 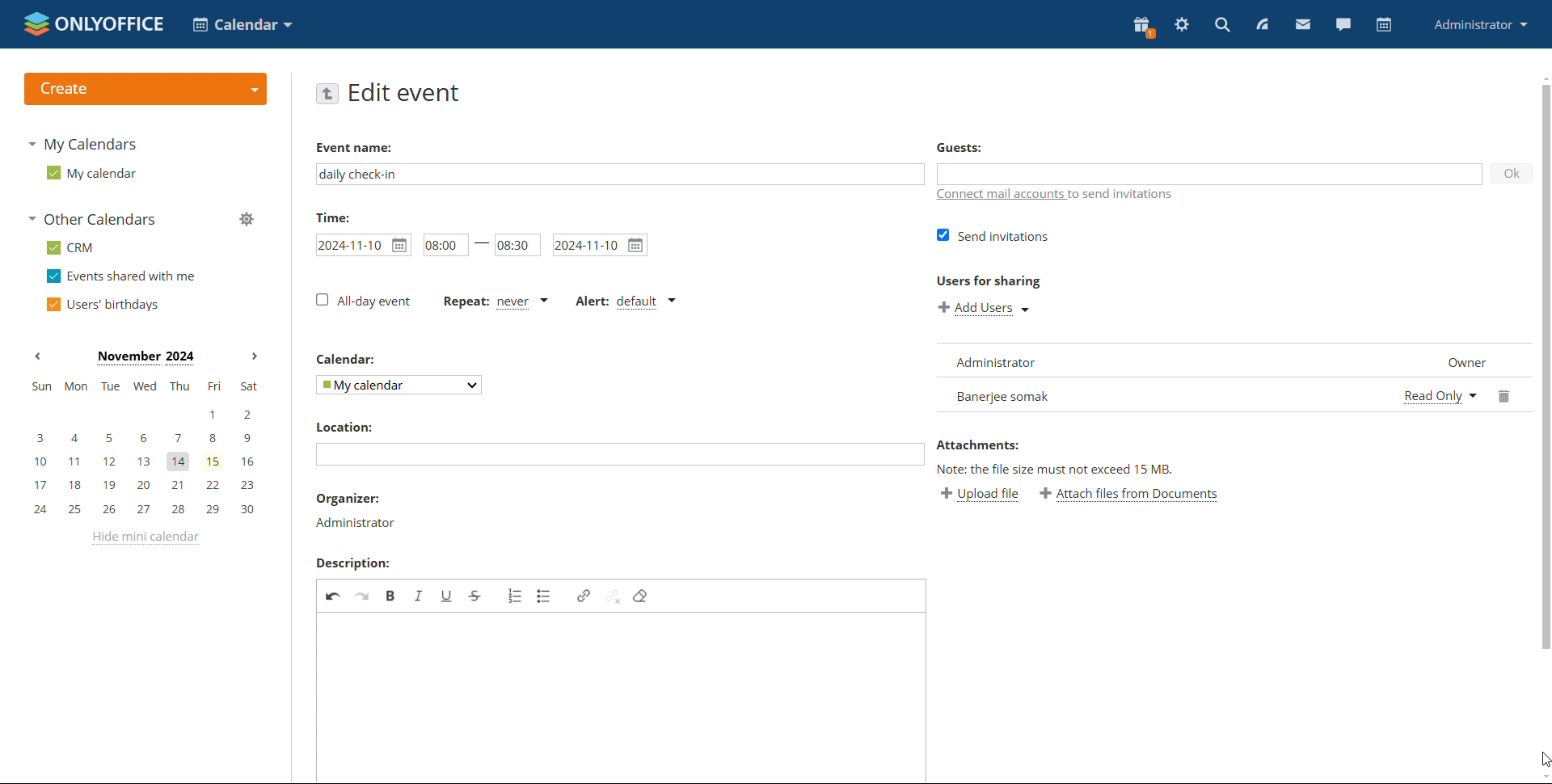 I want to click on undo, so click(x=334, y=595).